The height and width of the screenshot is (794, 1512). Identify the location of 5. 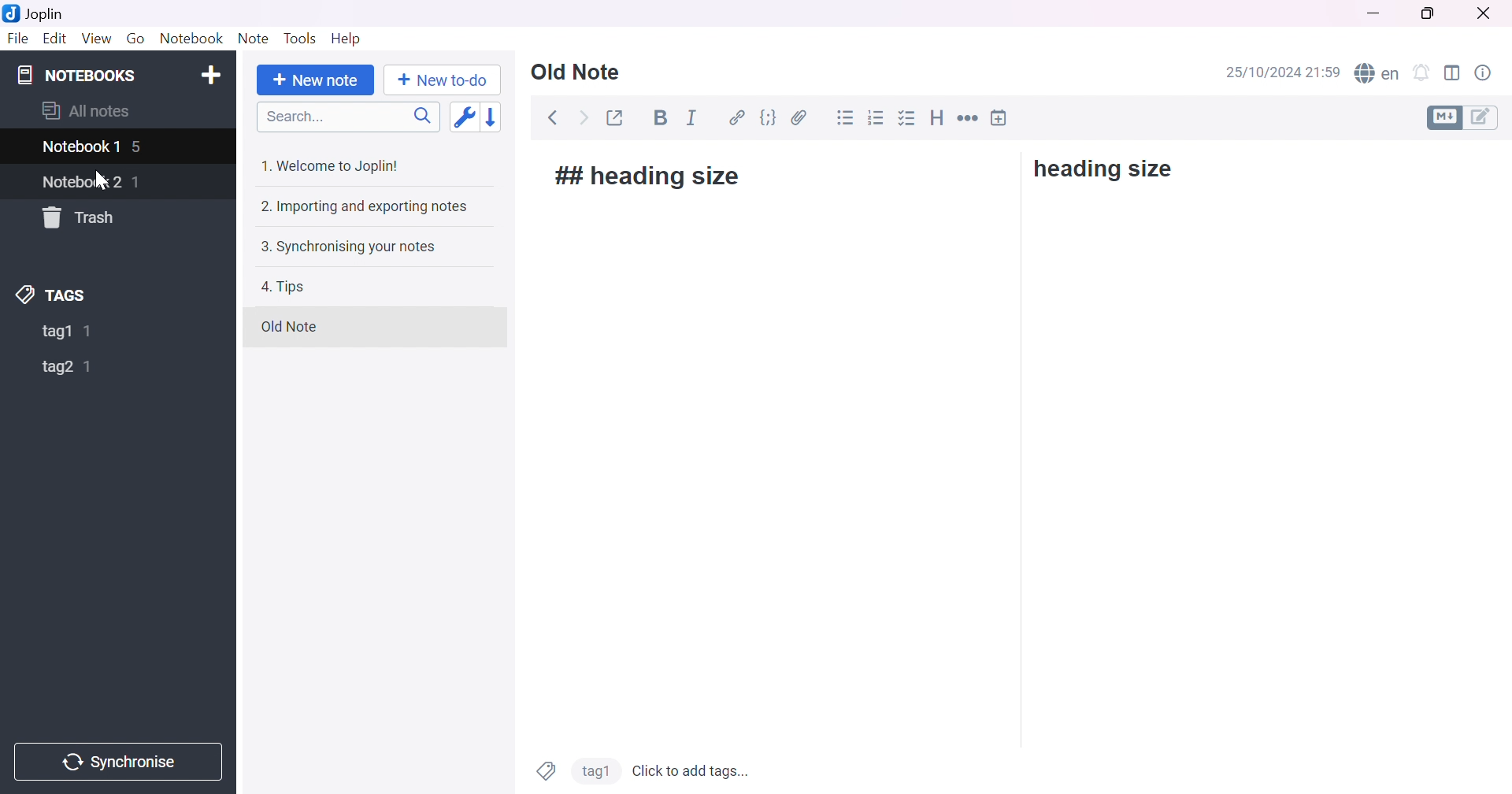
(138, 147).